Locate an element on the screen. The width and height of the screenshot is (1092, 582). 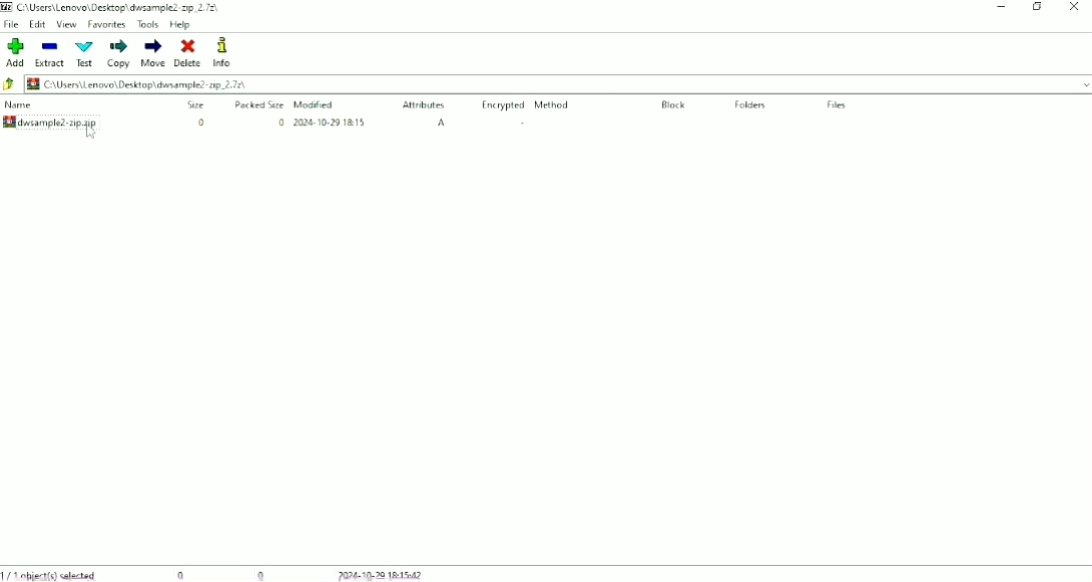
Back is located at coordinates (10, 85).